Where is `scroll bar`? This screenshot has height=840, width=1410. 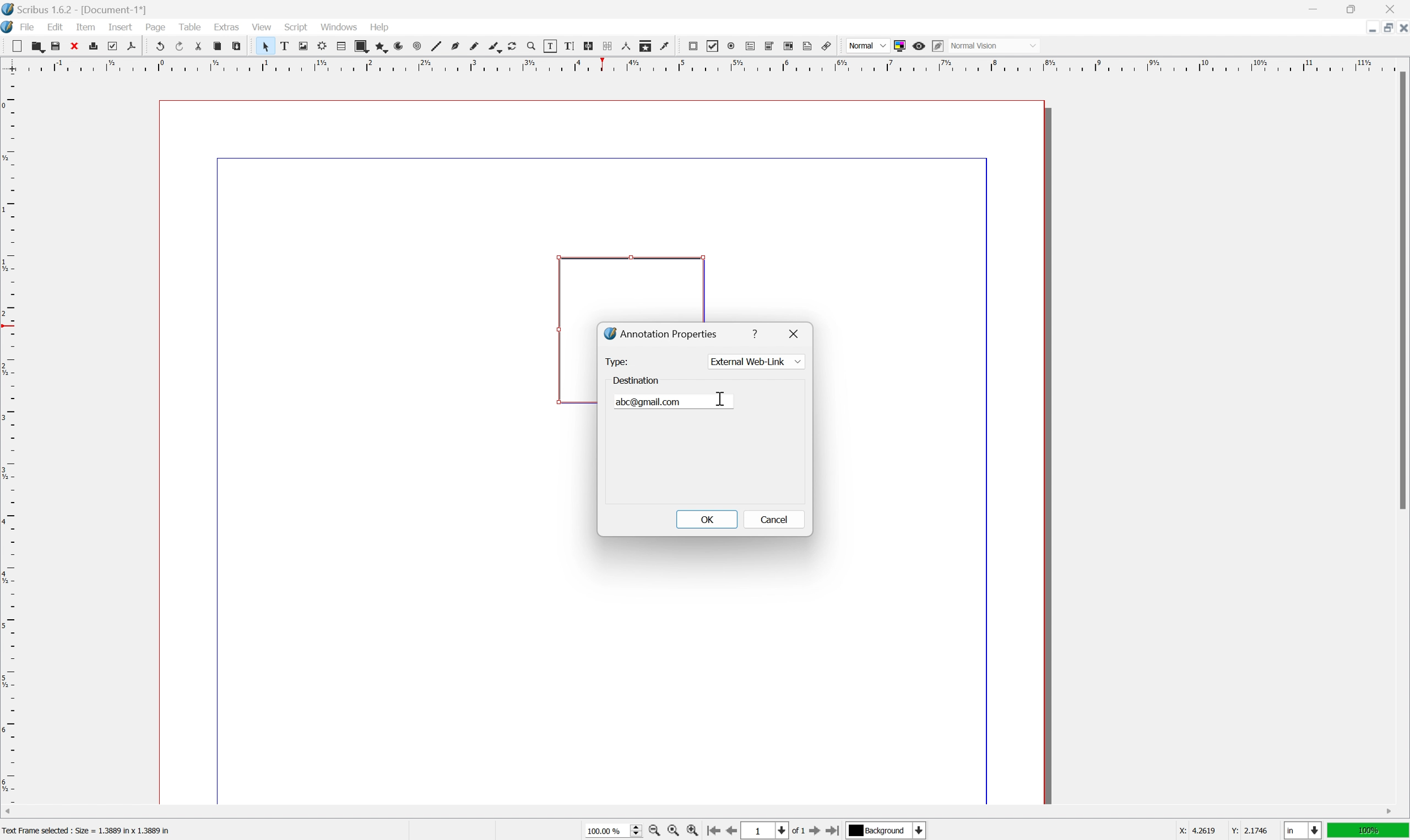 scroll bar is located at coordinates (1401, 290).